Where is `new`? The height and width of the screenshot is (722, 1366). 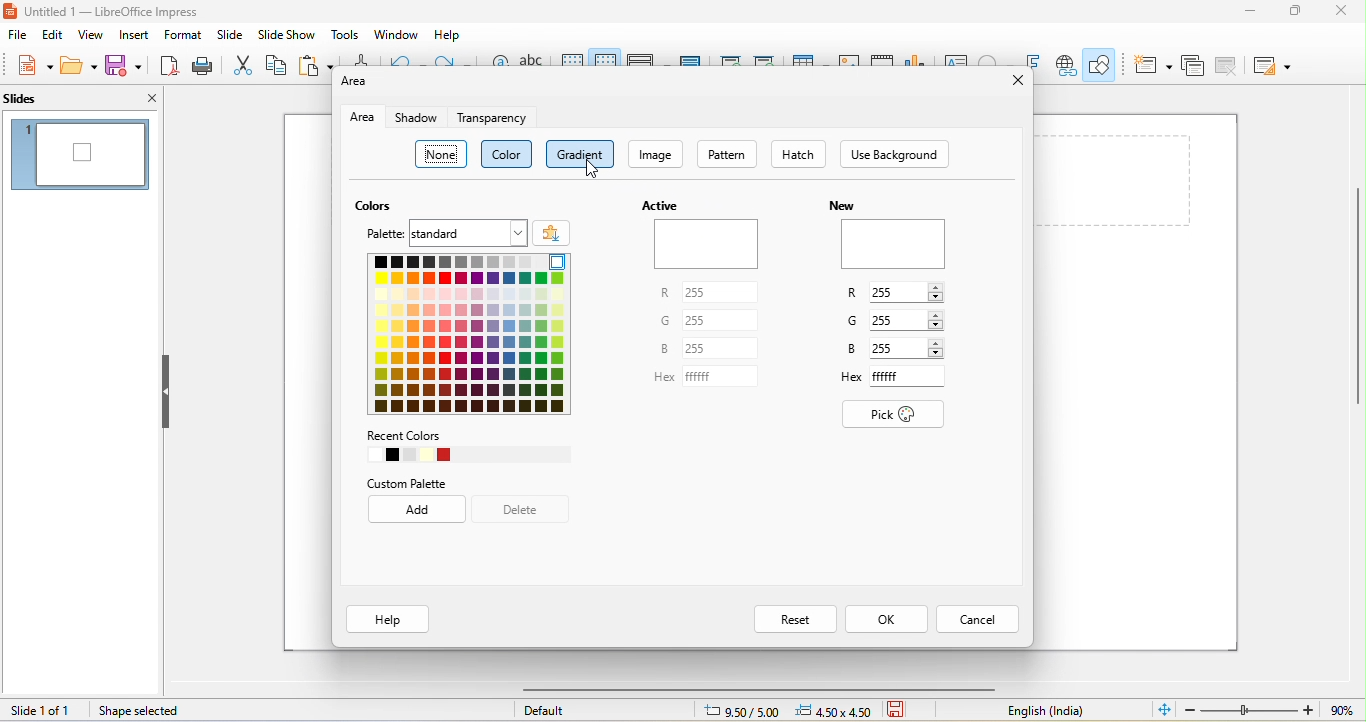 new is located at coordinates (842, 204).